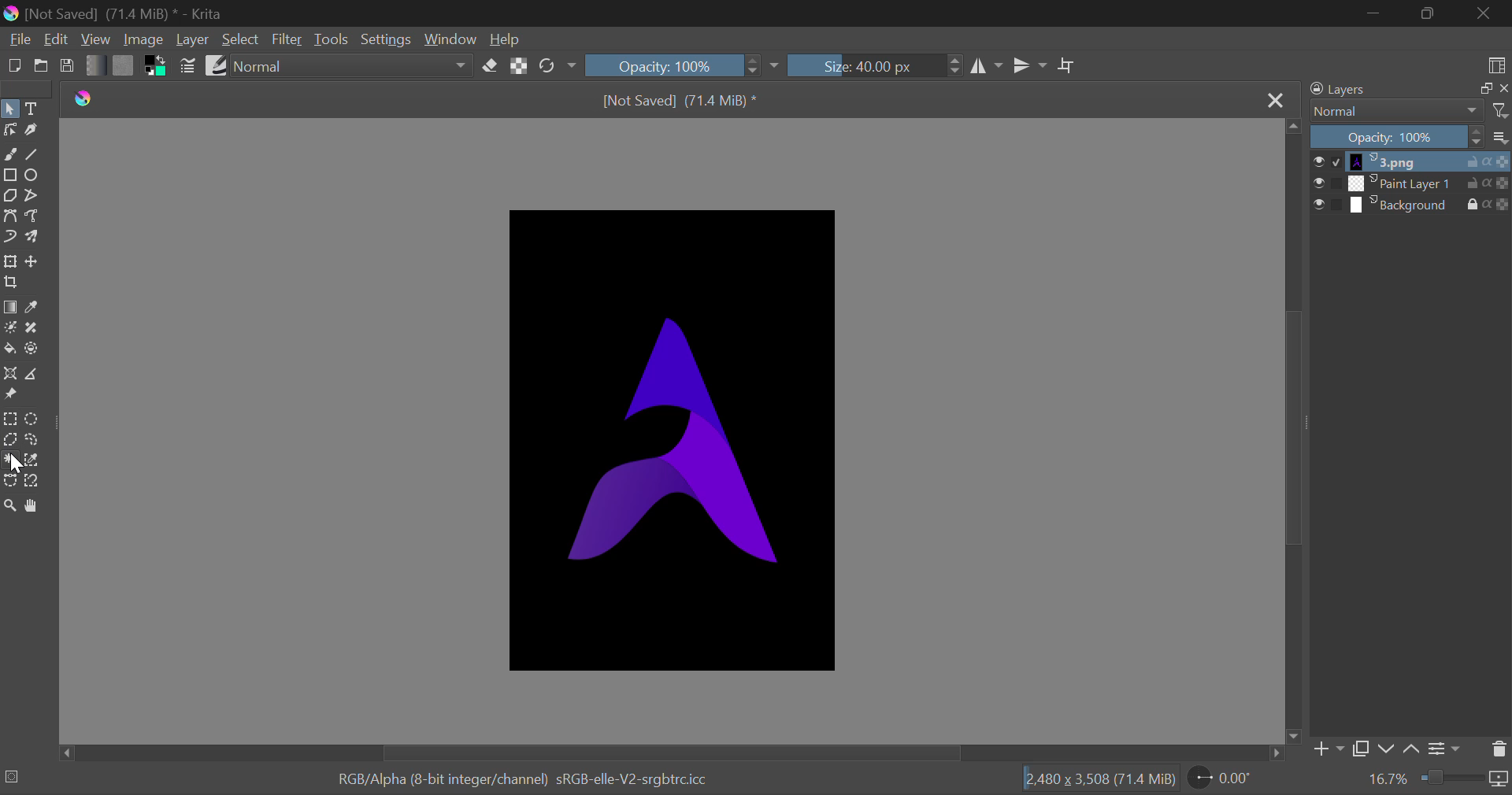  What do you see at coordinates (1273, 104) in the screenshot?
I see `Close` at bounding box center [1273, 104].